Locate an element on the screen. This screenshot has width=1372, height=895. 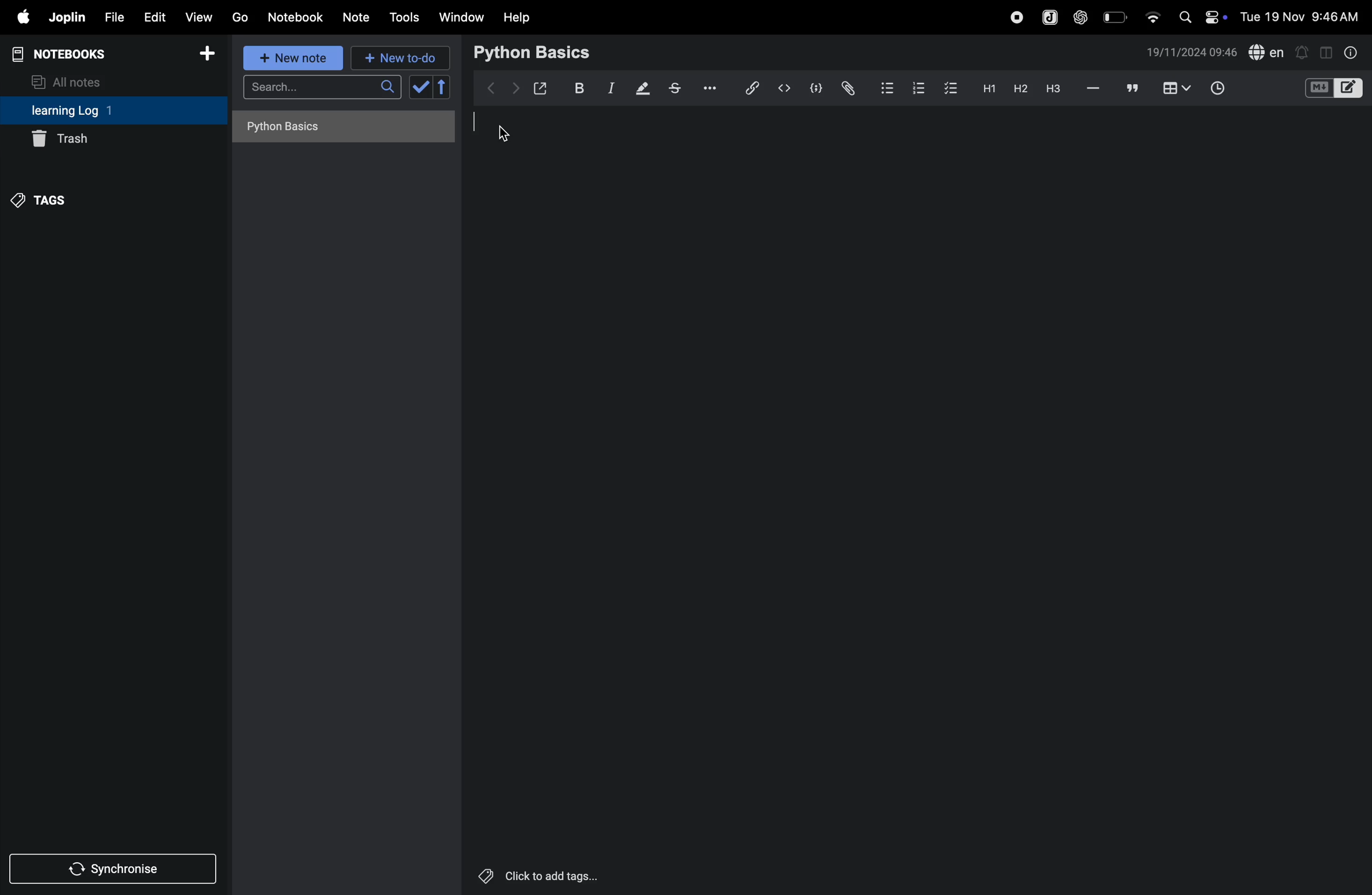
toggle editor layout is located at coordinates (1327, 51).